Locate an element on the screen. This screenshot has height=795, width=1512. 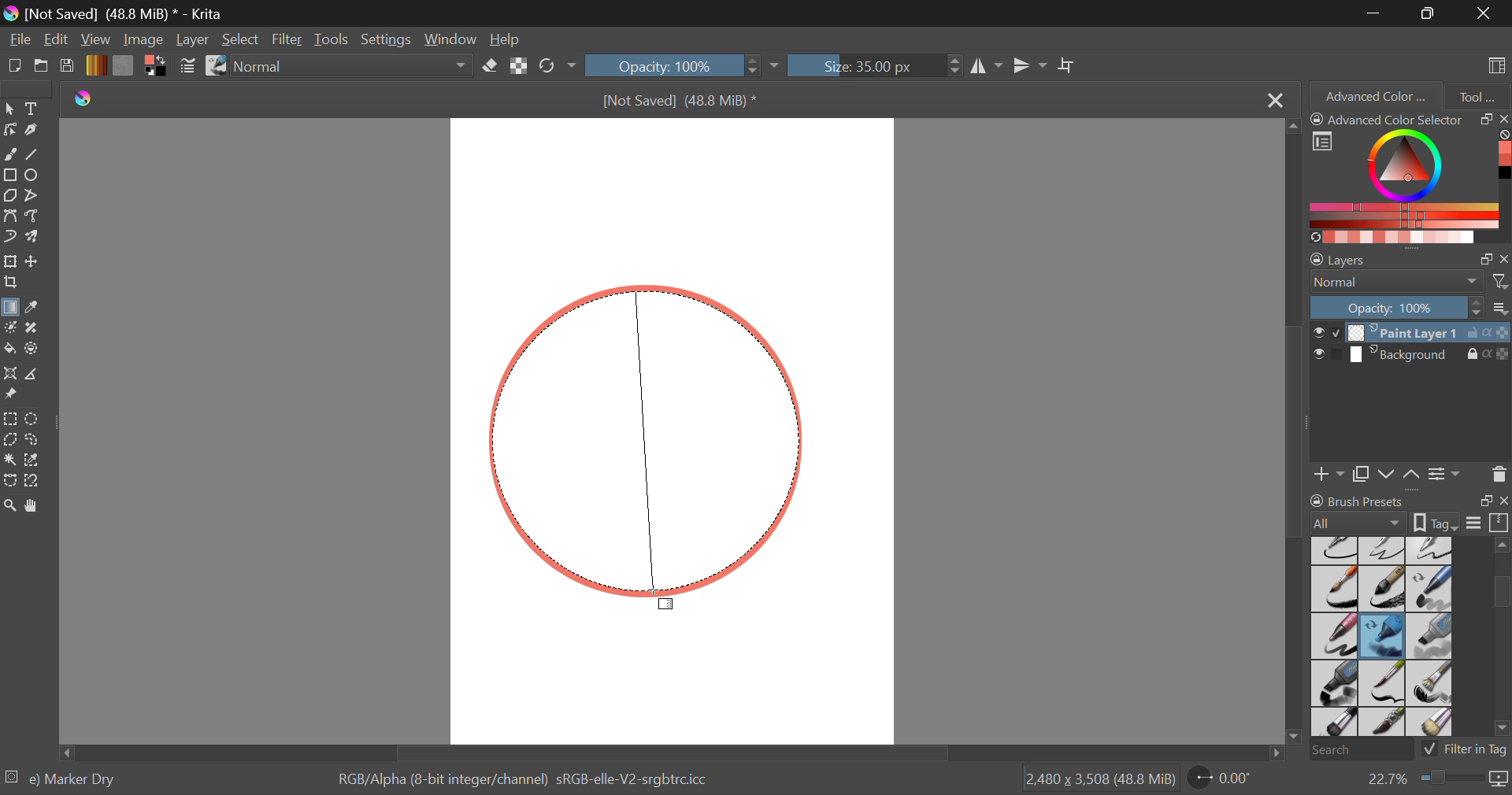
Sheet Rotation is located at coordinates (1228, 778).